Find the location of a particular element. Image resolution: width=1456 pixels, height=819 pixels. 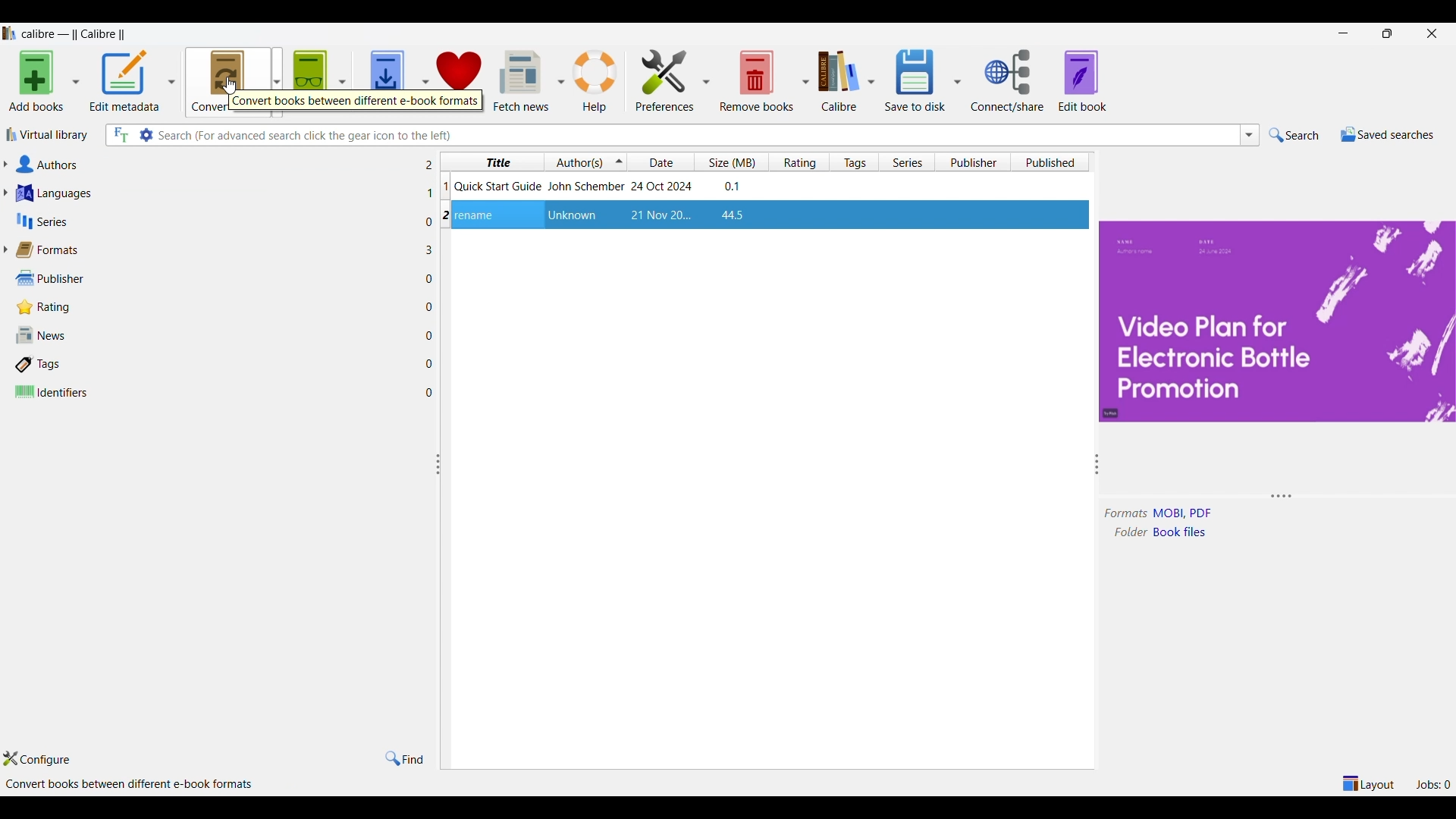

Languages  is located at coordinates (215, 193).